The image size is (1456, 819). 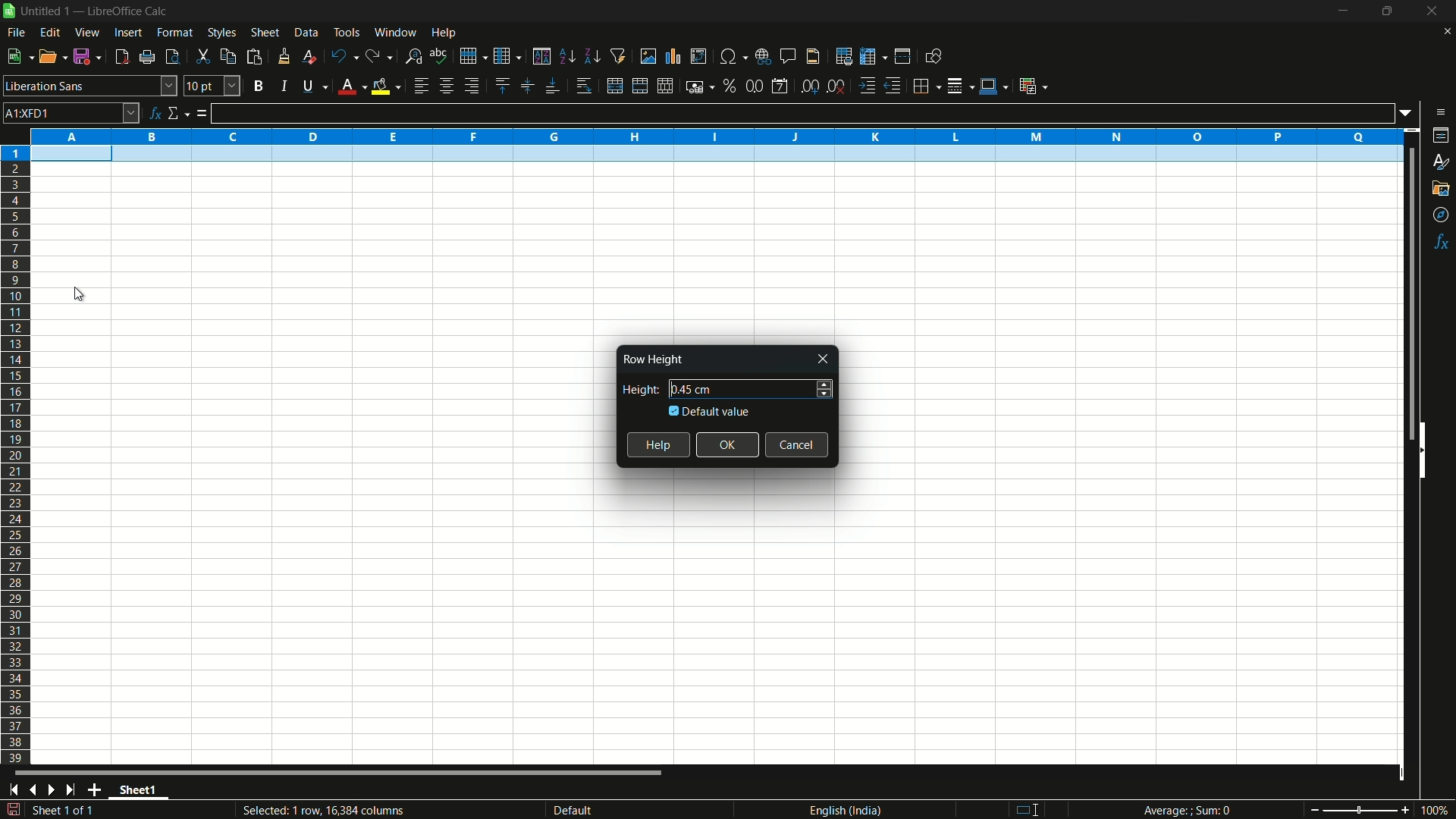 What do you see at coordinates (962, 84) in the screenshot?
I see `border style` at bounding box center [962, 84].